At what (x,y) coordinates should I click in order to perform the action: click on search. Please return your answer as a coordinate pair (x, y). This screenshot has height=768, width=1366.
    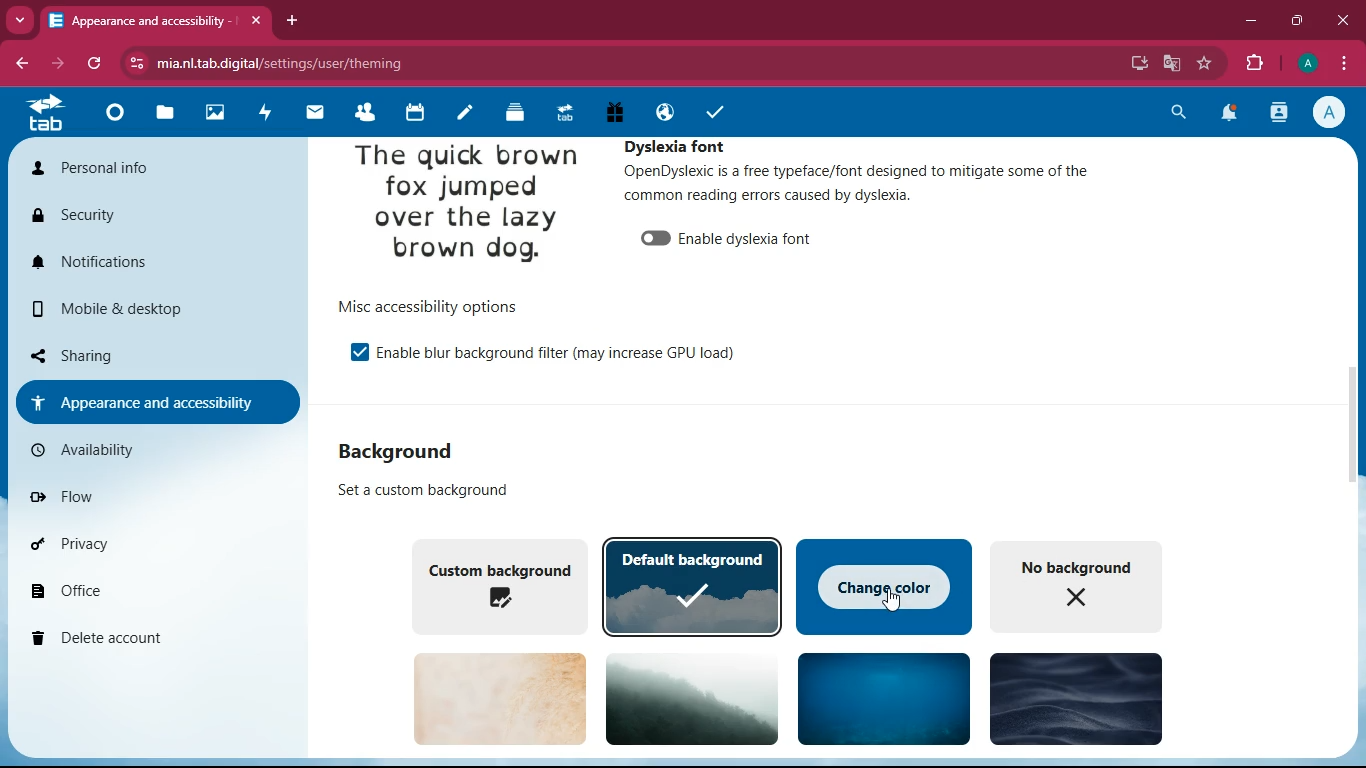
    Looking at the image, I should click on (1176, 115).